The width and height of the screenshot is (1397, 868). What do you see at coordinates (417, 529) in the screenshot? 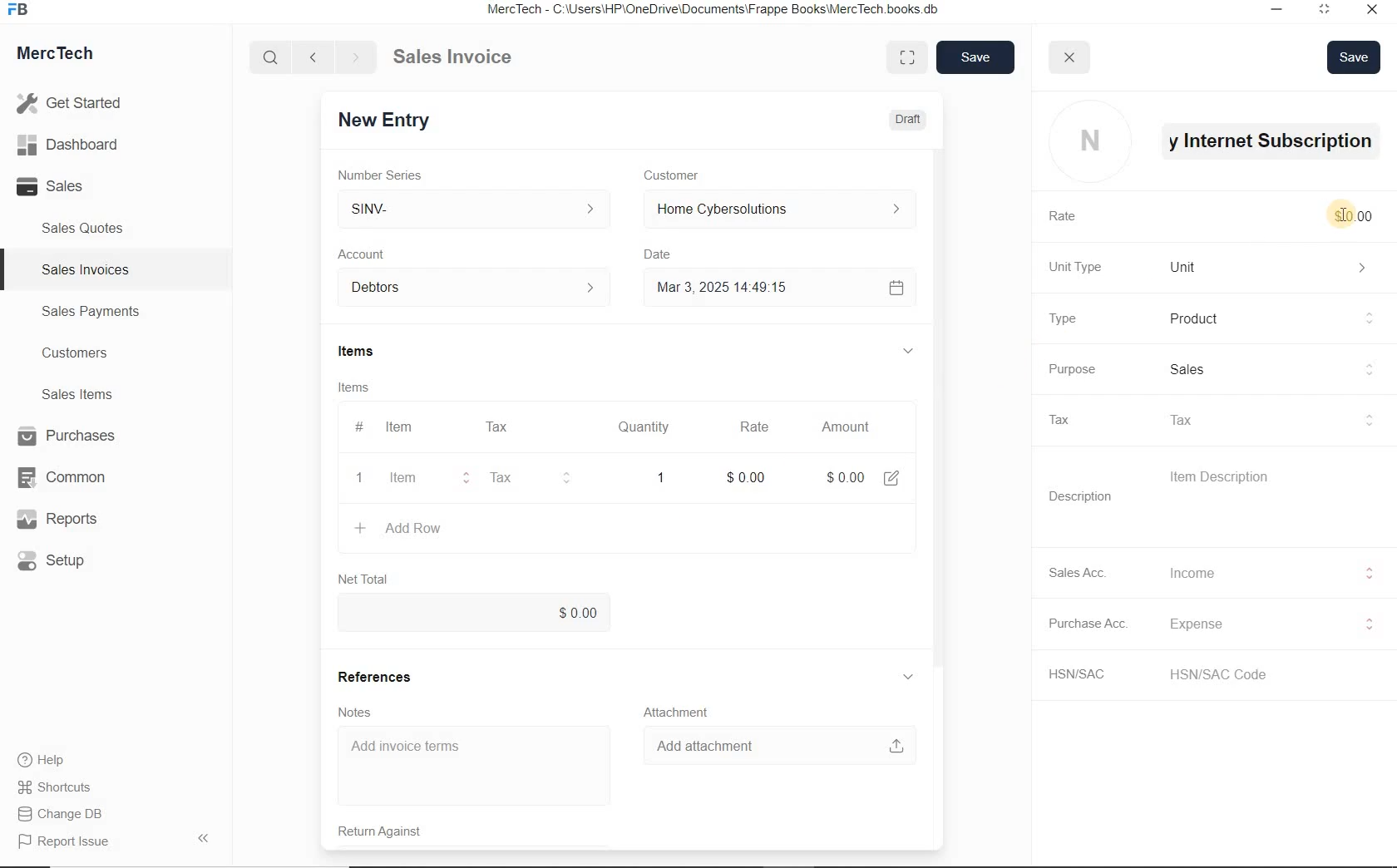
I see `+ Add Row` at bounding box center [417, 529].